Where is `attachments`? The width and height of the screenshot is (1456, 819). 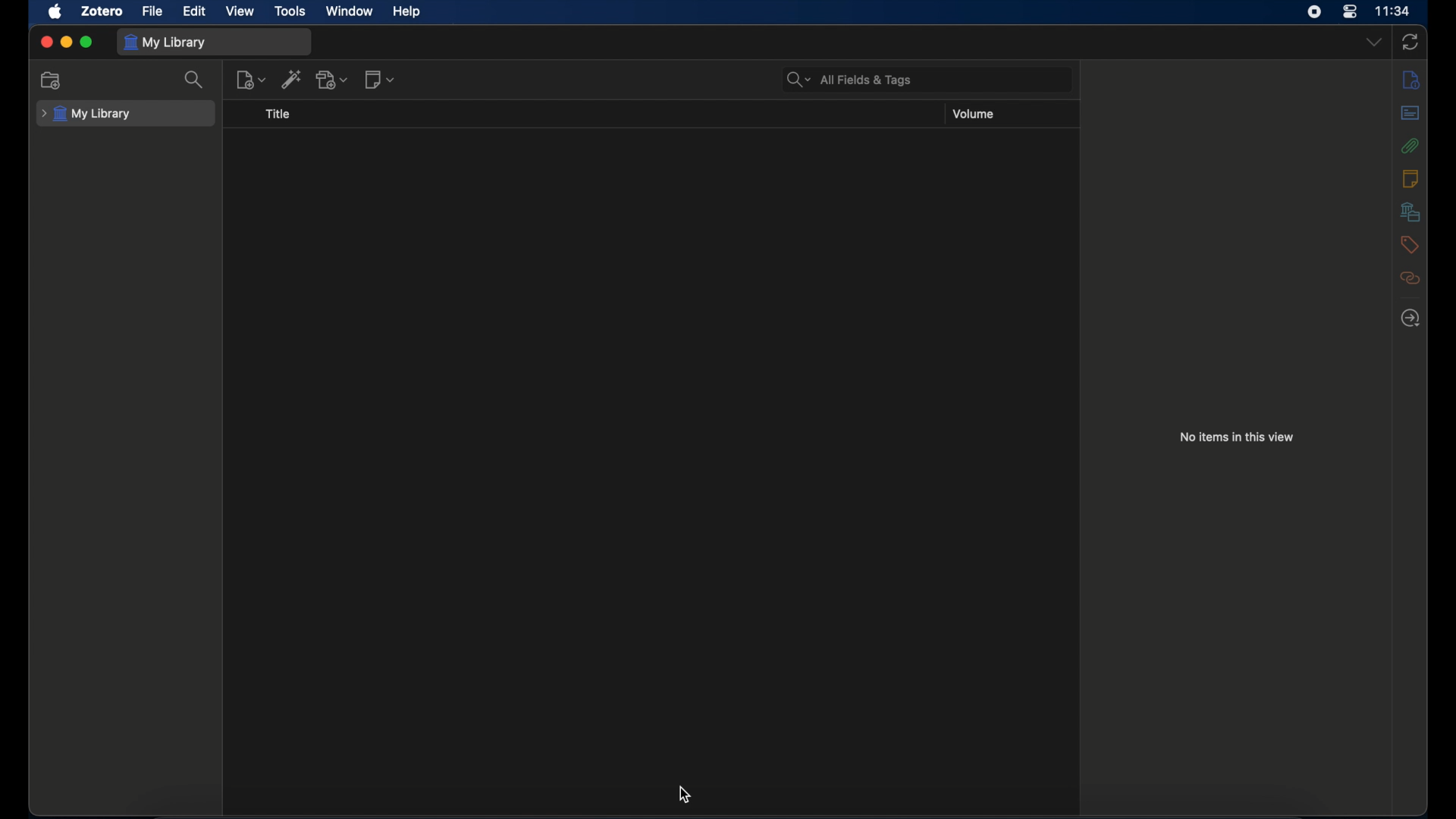
attachments is located at coordinates (1410, 146).